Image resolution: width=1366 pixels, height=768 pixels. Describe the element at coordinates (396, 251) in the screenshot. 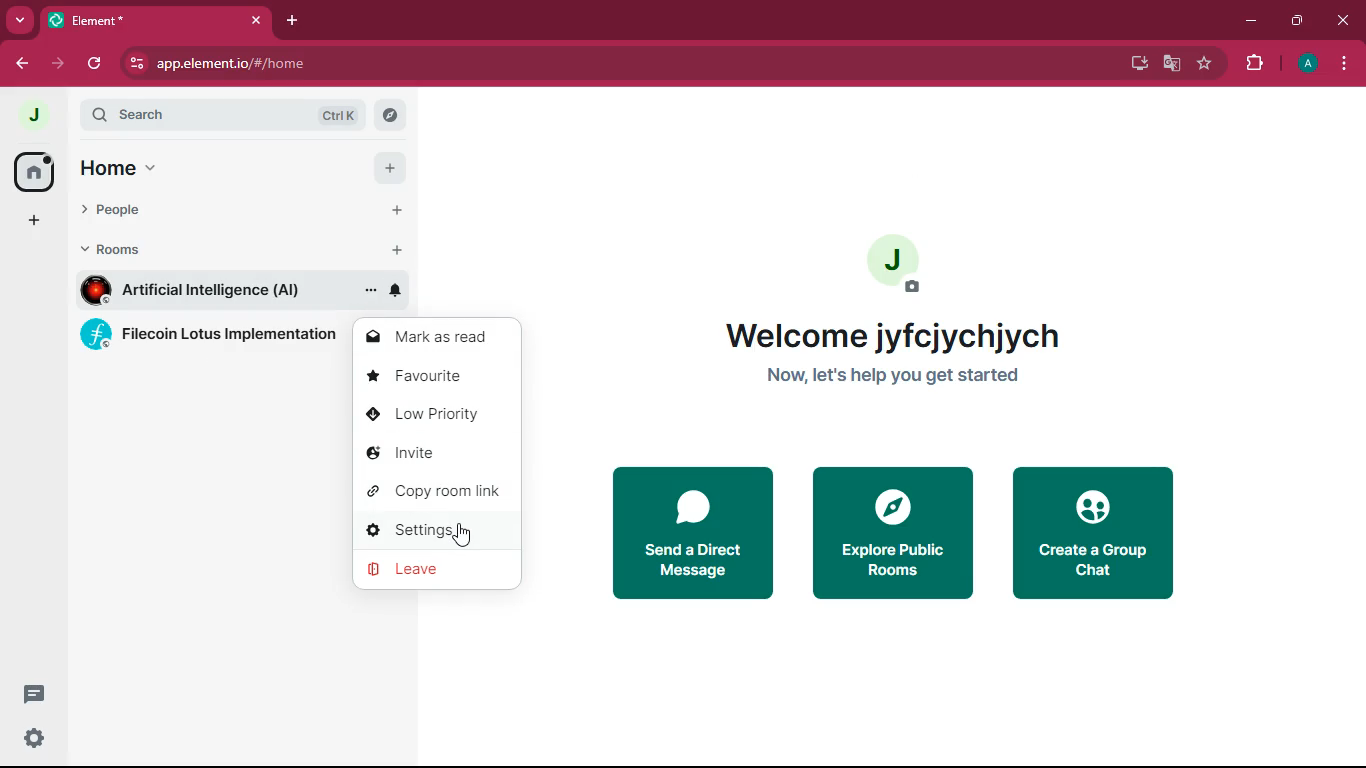

I see `add room` at that location.